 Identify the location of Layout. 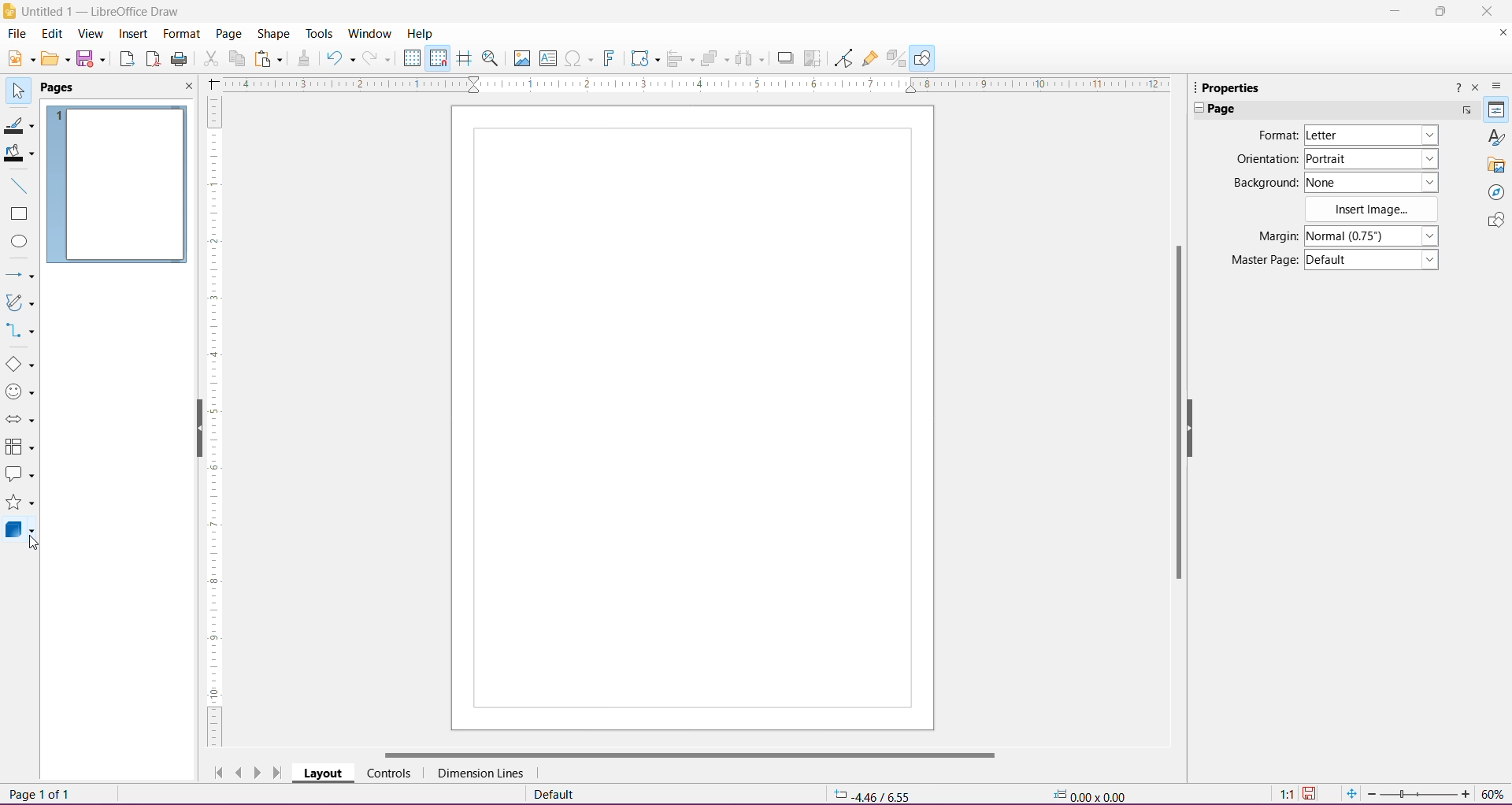
(323, 773).